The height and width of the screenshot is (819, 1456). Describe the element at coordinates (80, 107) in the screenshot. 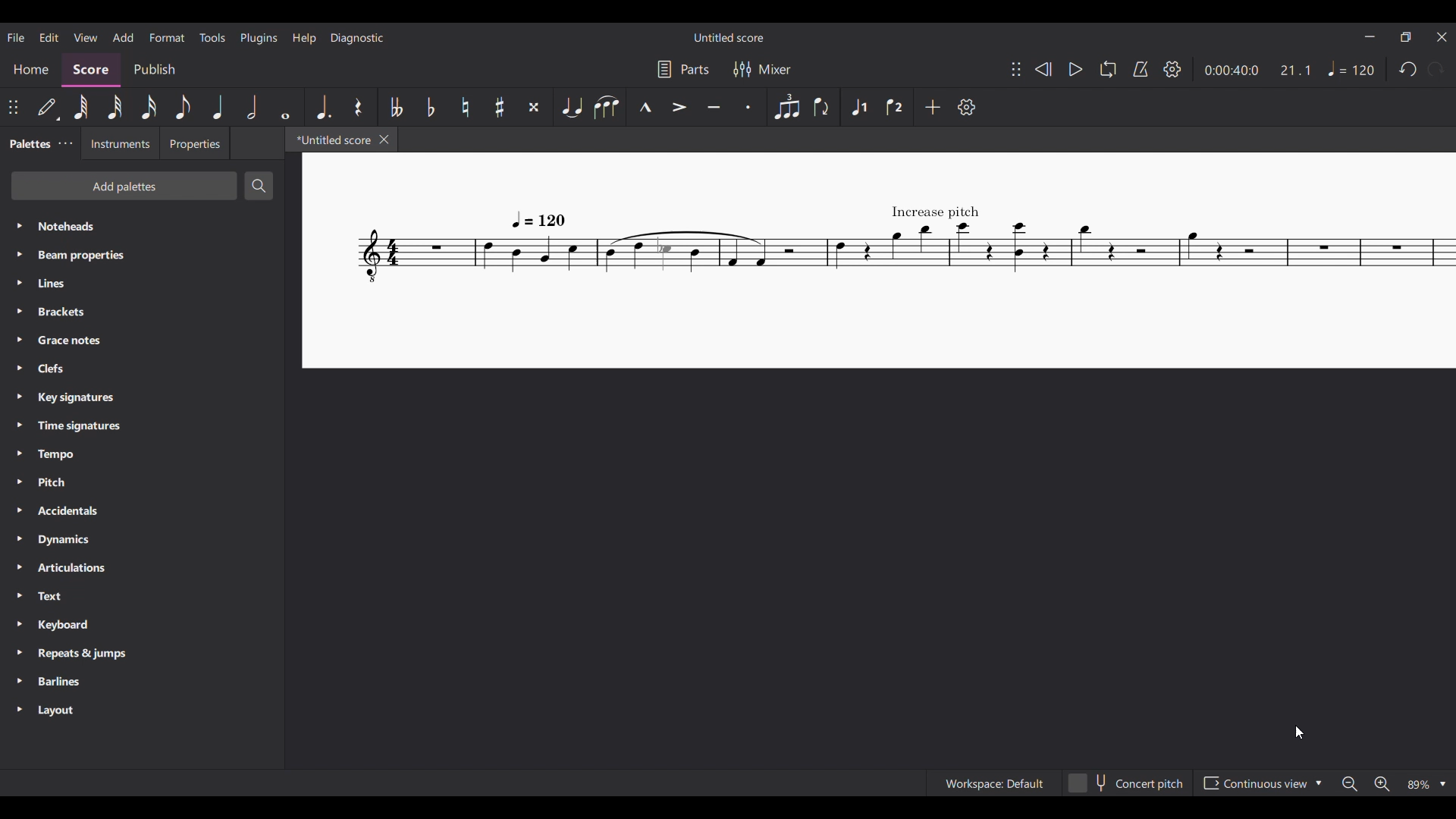

I see `64th note` at that location.